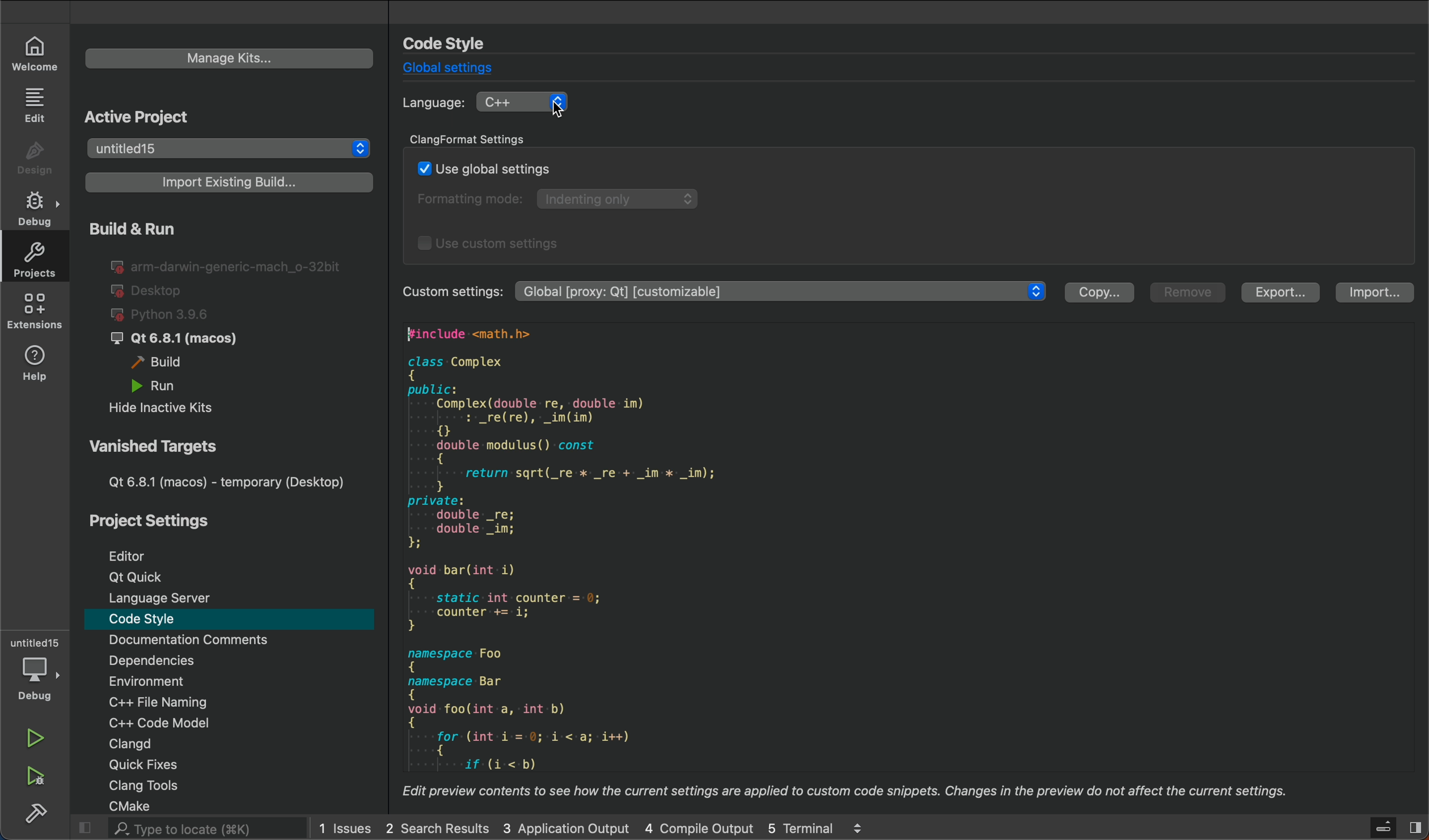 The image size is (1429, 840). Describe the element at coordinates (35, 668) in the screenshot. I see `debugger` at that location.